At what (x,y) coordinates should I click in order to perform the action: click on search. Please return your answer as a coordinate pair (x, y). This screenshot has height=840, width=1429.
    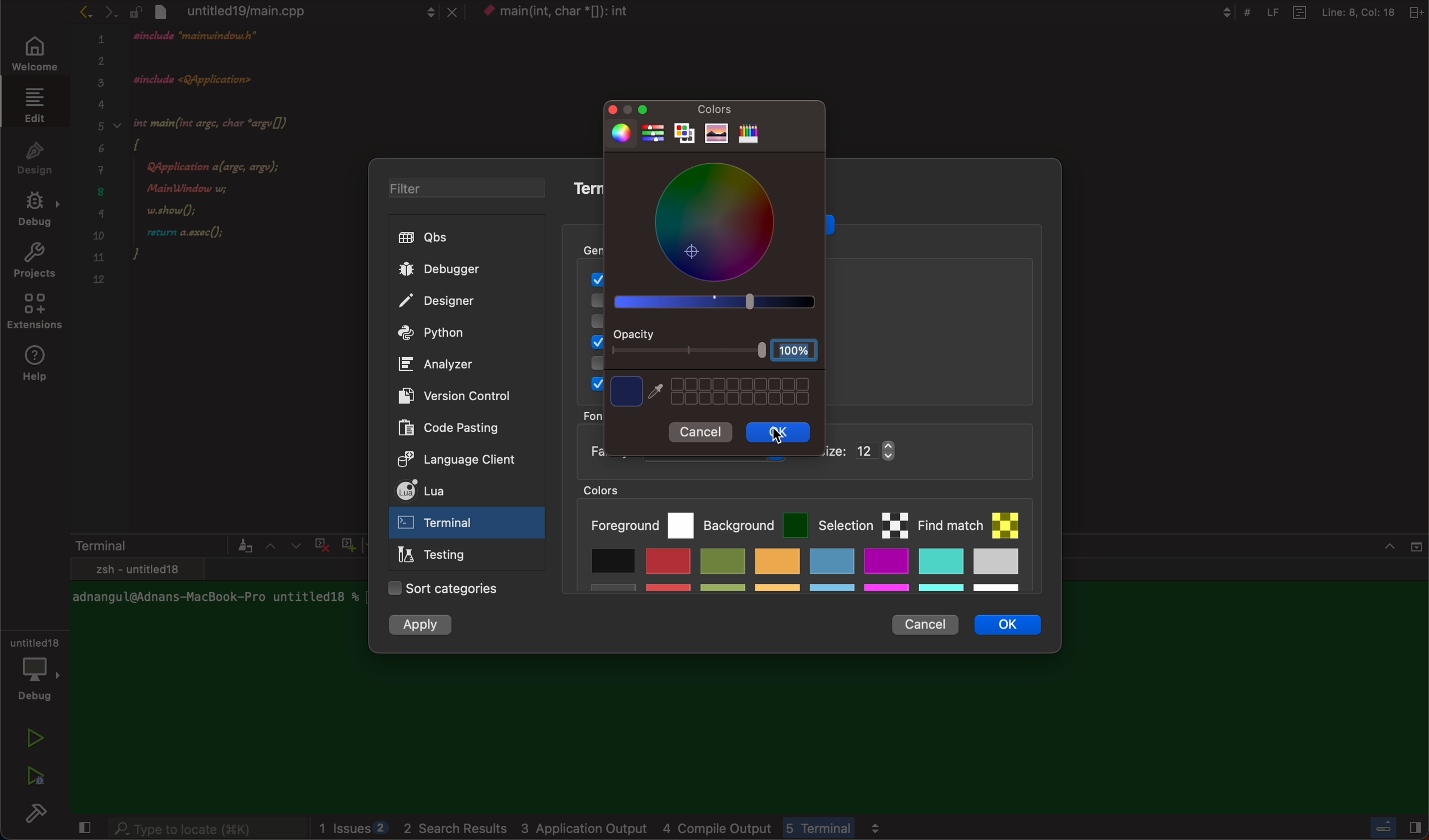
    Looking at the image, I should click on (206, 830).